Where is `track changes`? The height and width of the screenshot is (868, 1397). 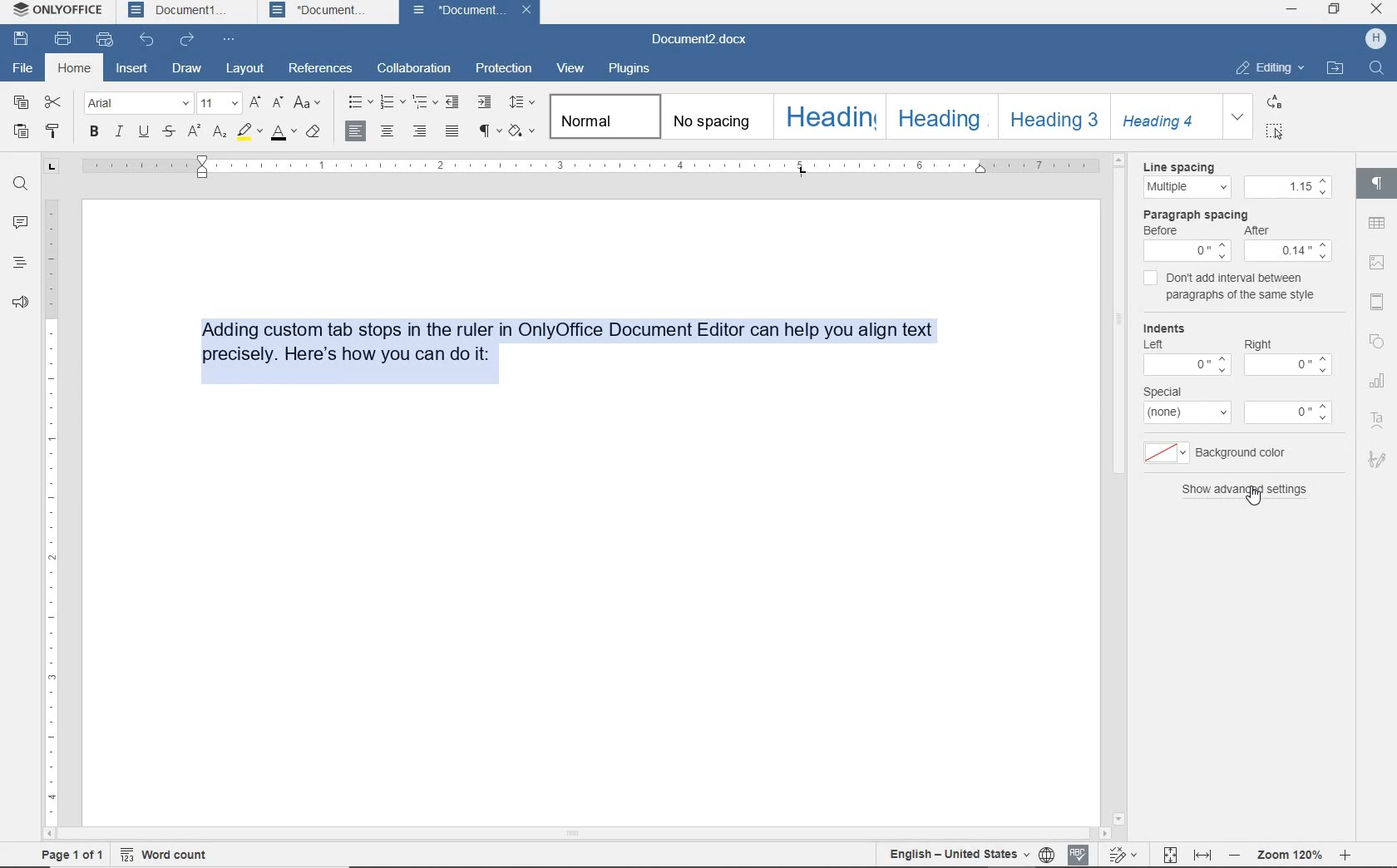 track changes is located at coordinates (955, 855).